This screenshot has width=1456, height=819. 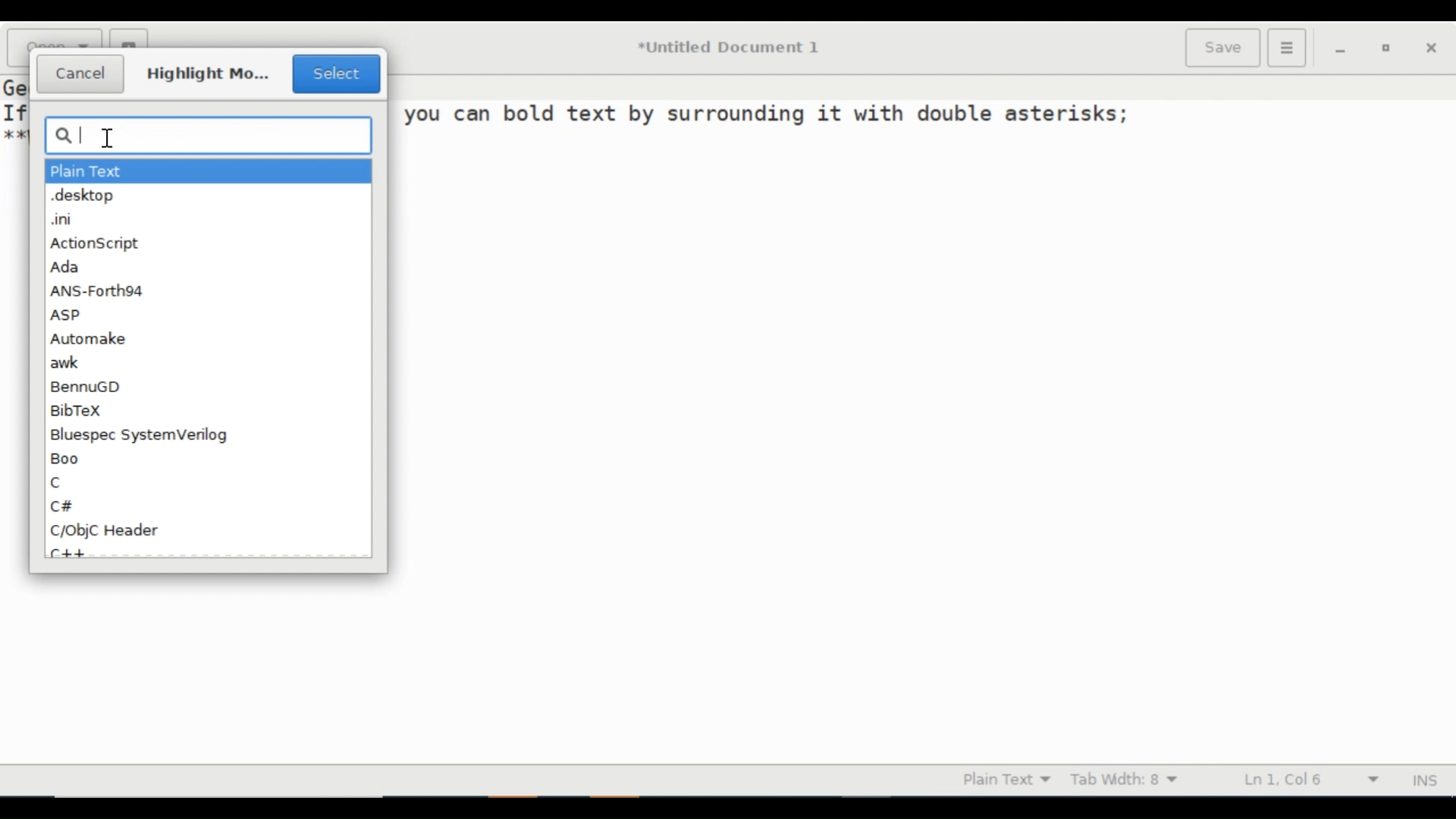 What do you see at coordinates (1009, 778) in the screenshot?
I see `Highlight mode dropdown menu` at bounding box center [1009, 778].